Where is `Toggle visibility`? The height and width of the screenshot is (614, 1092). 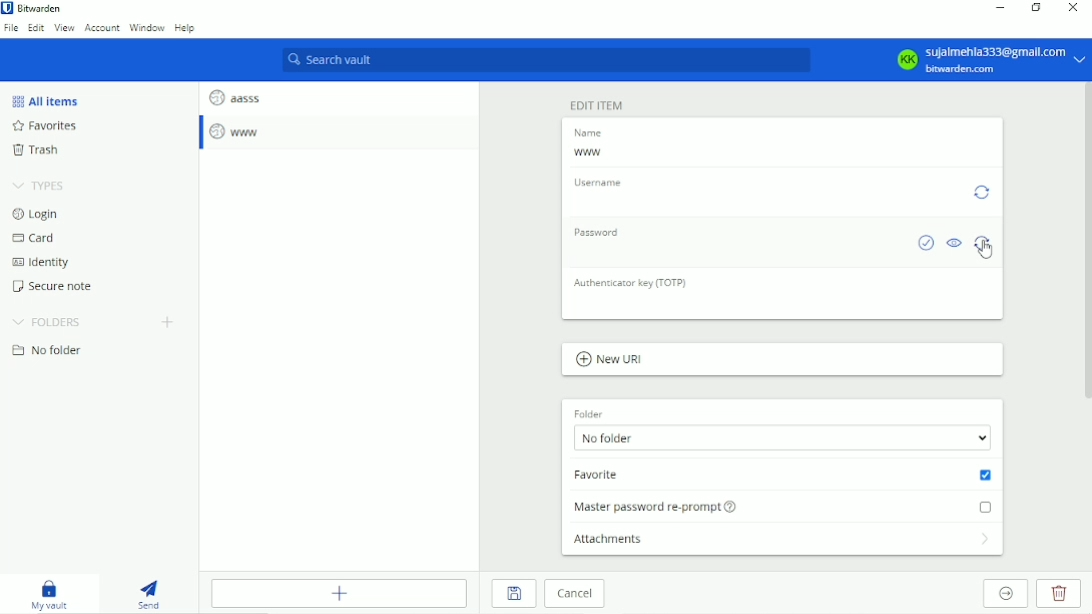
Toggle visibility is located at coordinates (955, 244).